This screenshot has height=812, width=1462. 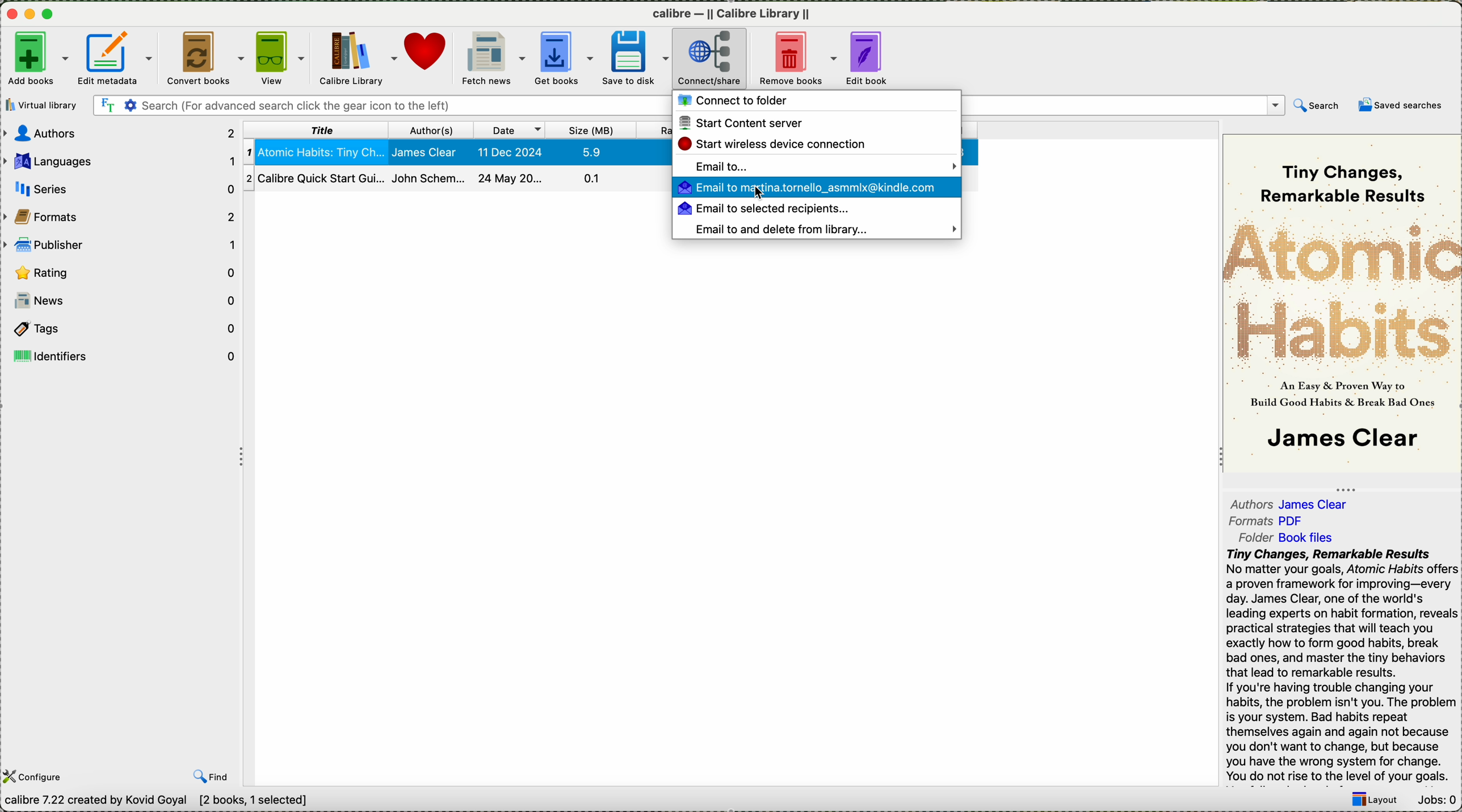 I want to click on news, so click(x=123, y=299).